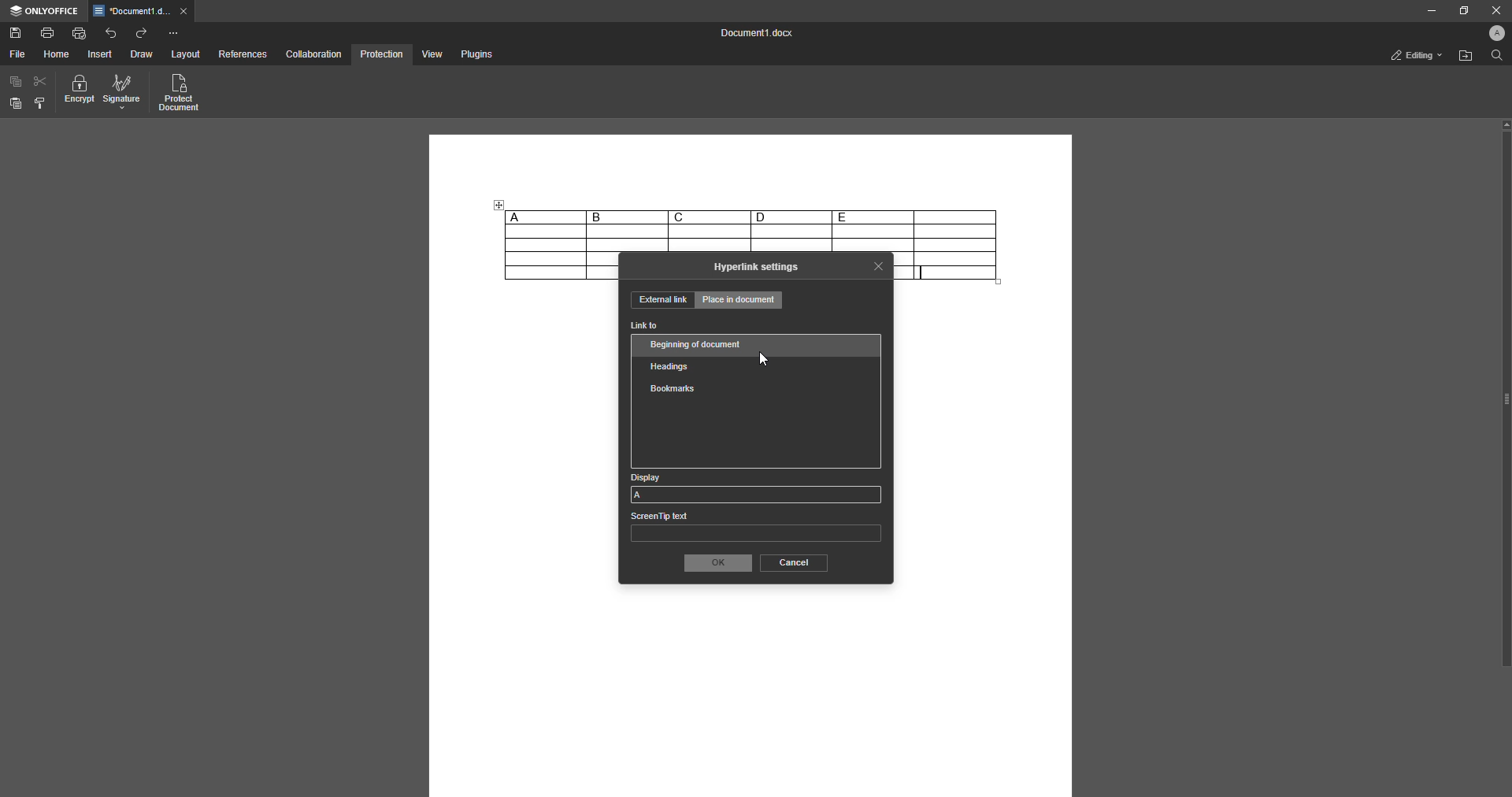  I want to click on Redo, so click(143, 33).